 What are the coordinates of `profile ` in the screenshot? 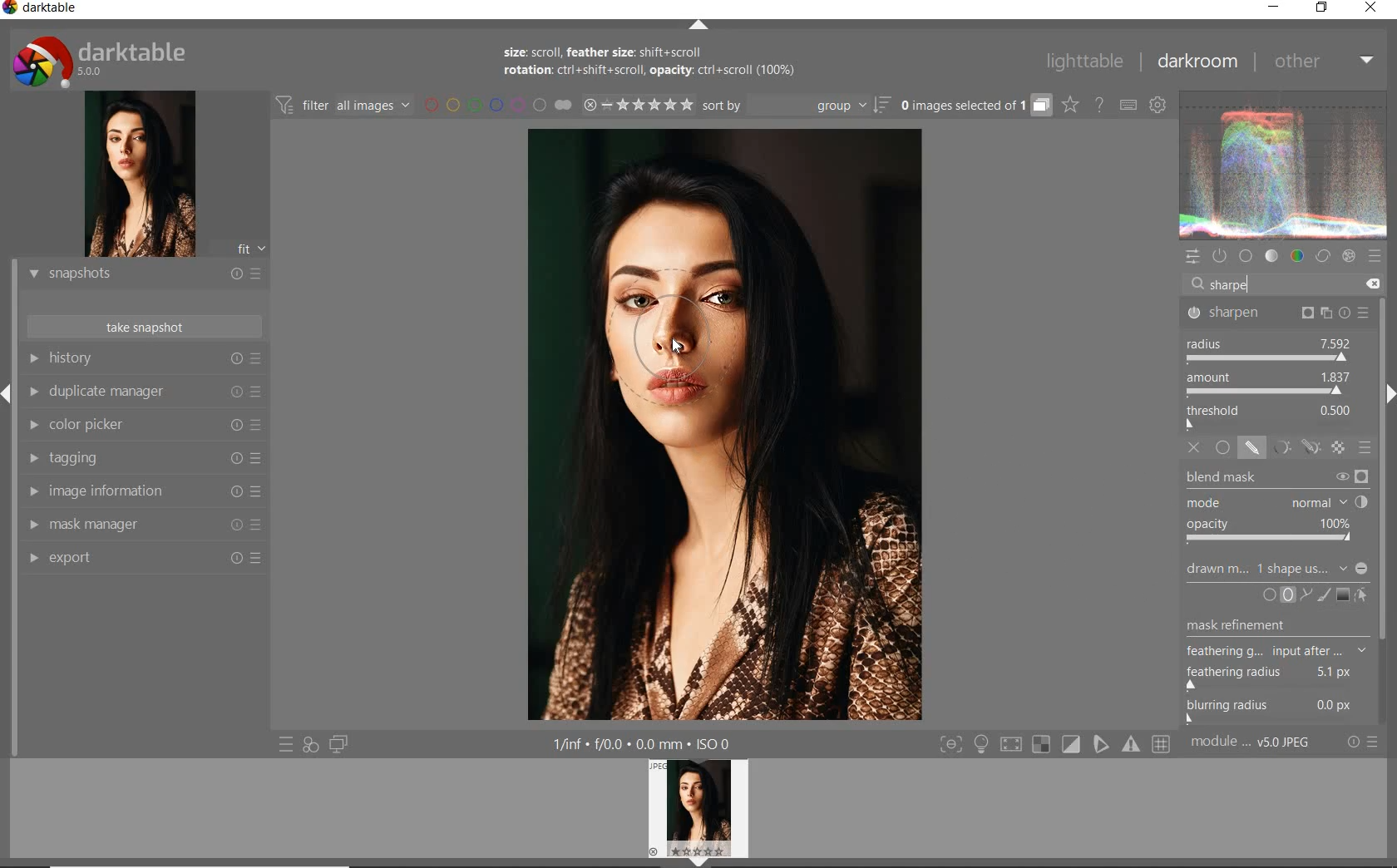 It's located at (708, 810).